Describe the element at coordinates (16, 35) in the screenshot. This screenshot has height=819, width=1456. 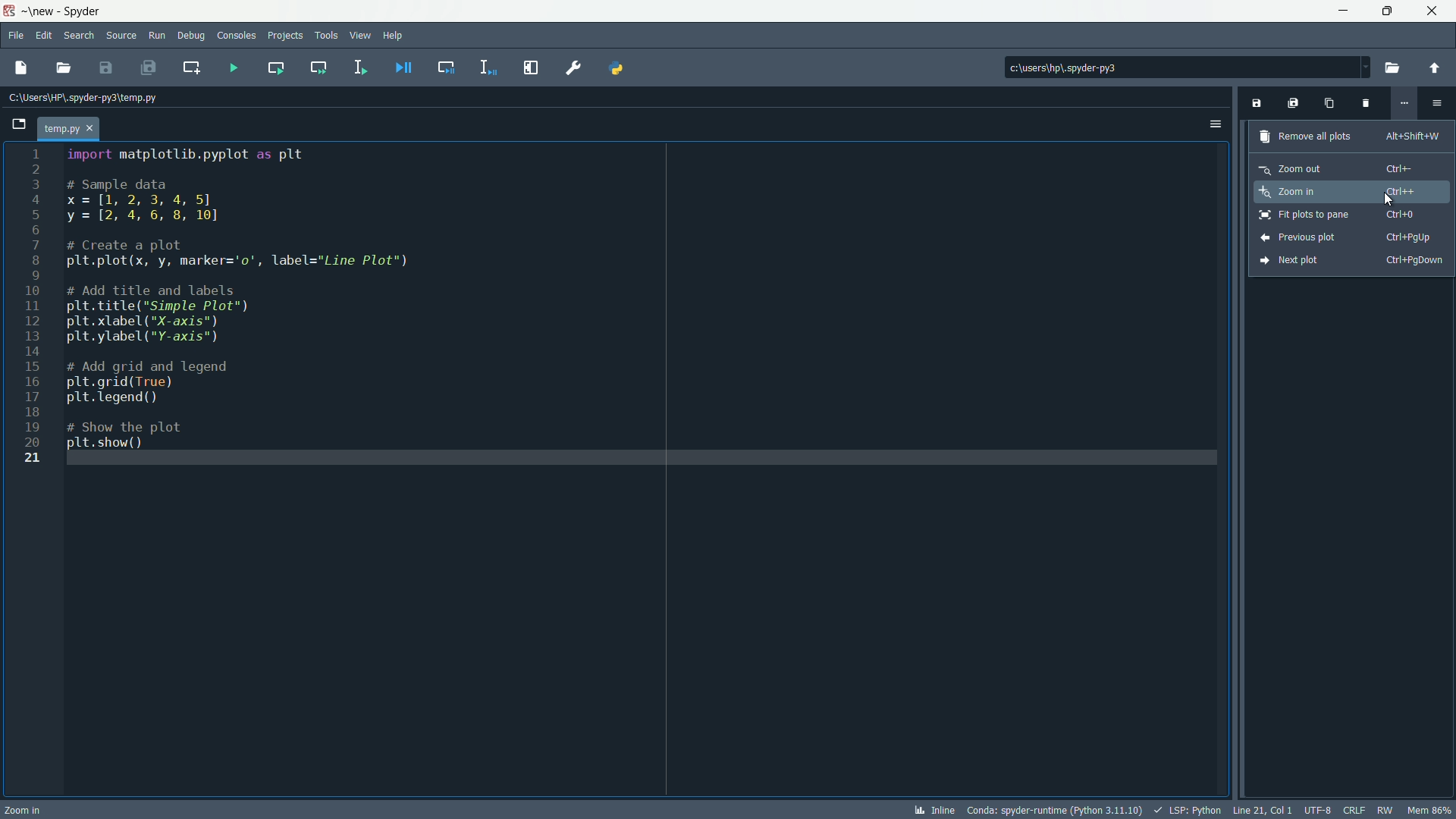
I see `file menu` at that location.